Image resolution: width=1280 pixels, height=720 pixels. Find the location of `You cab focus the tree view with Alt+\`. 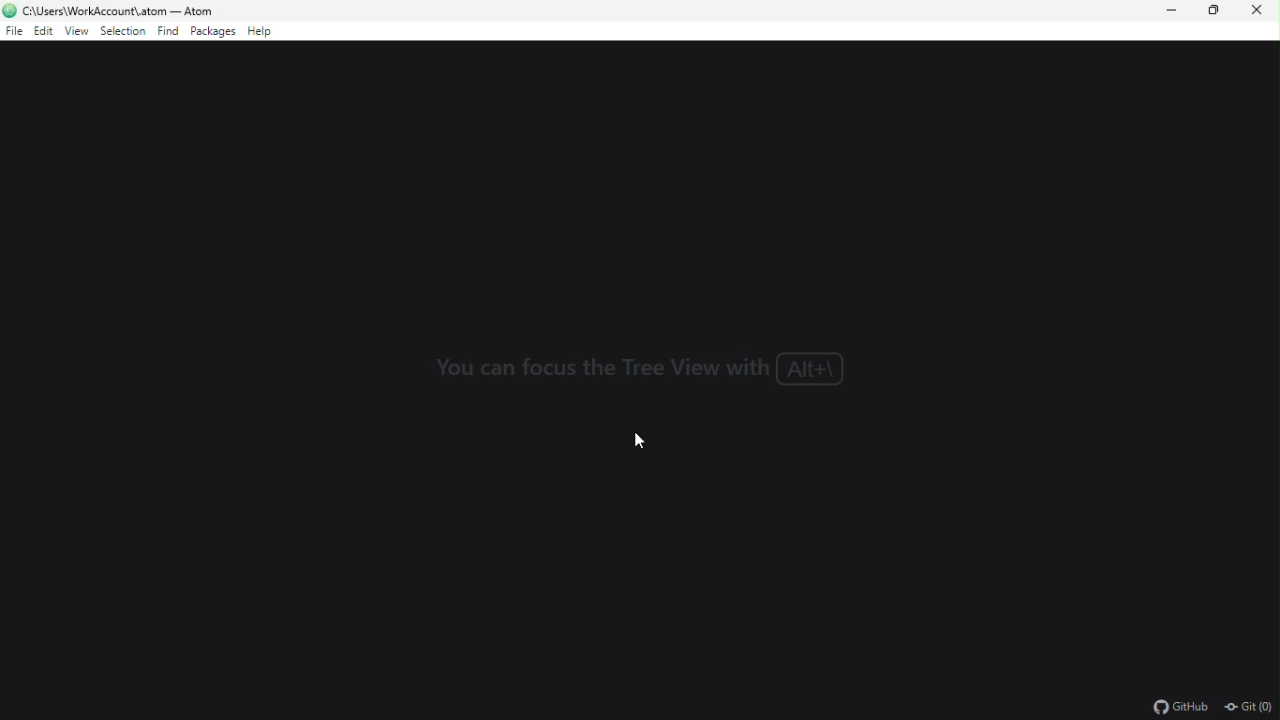

You cab focus the tree view with Alt+\ is located at coordinates (645, 369).